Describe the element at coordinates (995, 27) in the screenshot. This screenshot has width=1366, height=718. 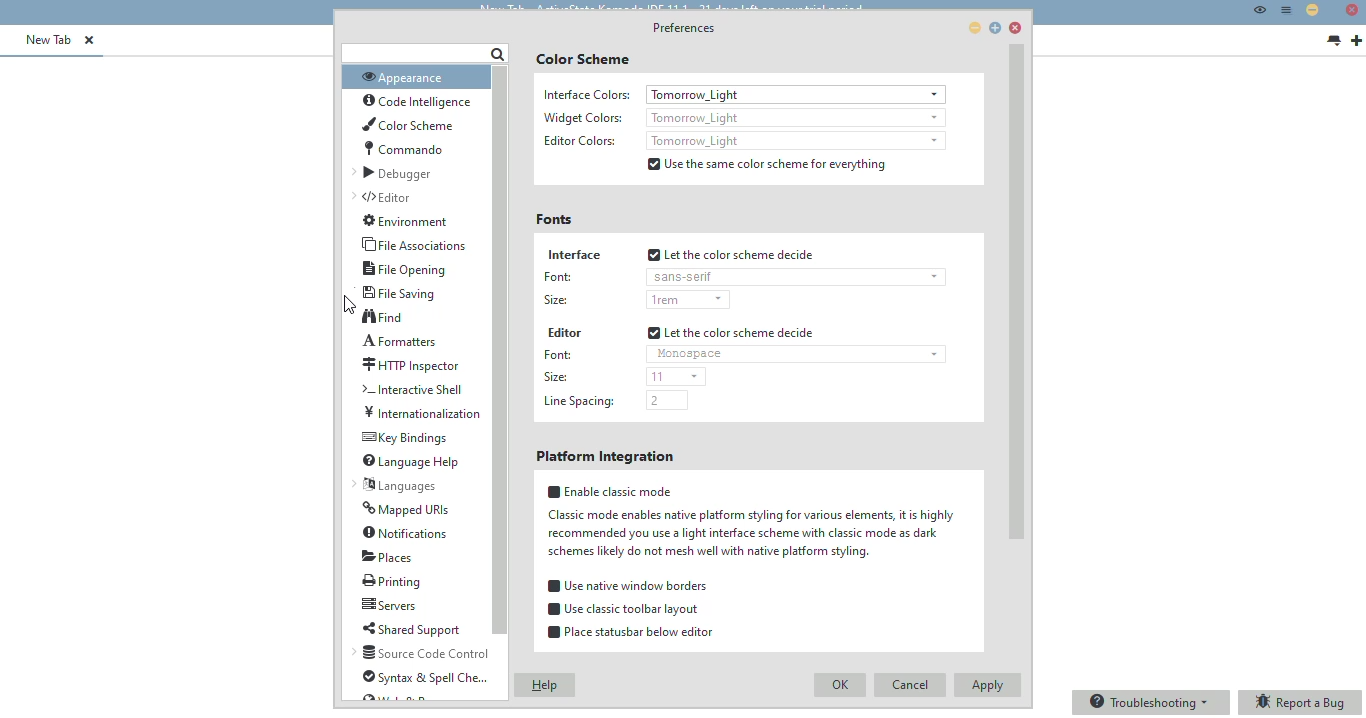
I see `maximize` at that location.